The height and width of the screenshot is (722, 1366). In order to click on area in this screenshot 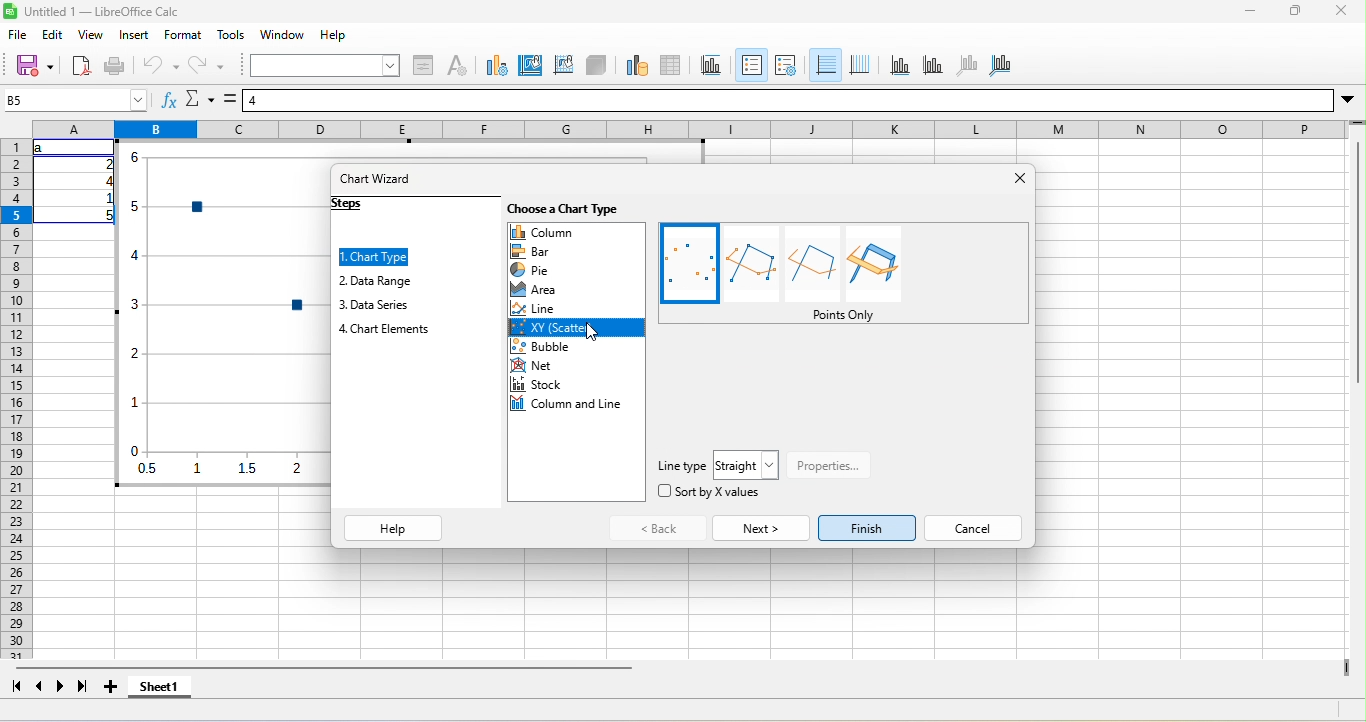, I will do `click(576, 289)`.